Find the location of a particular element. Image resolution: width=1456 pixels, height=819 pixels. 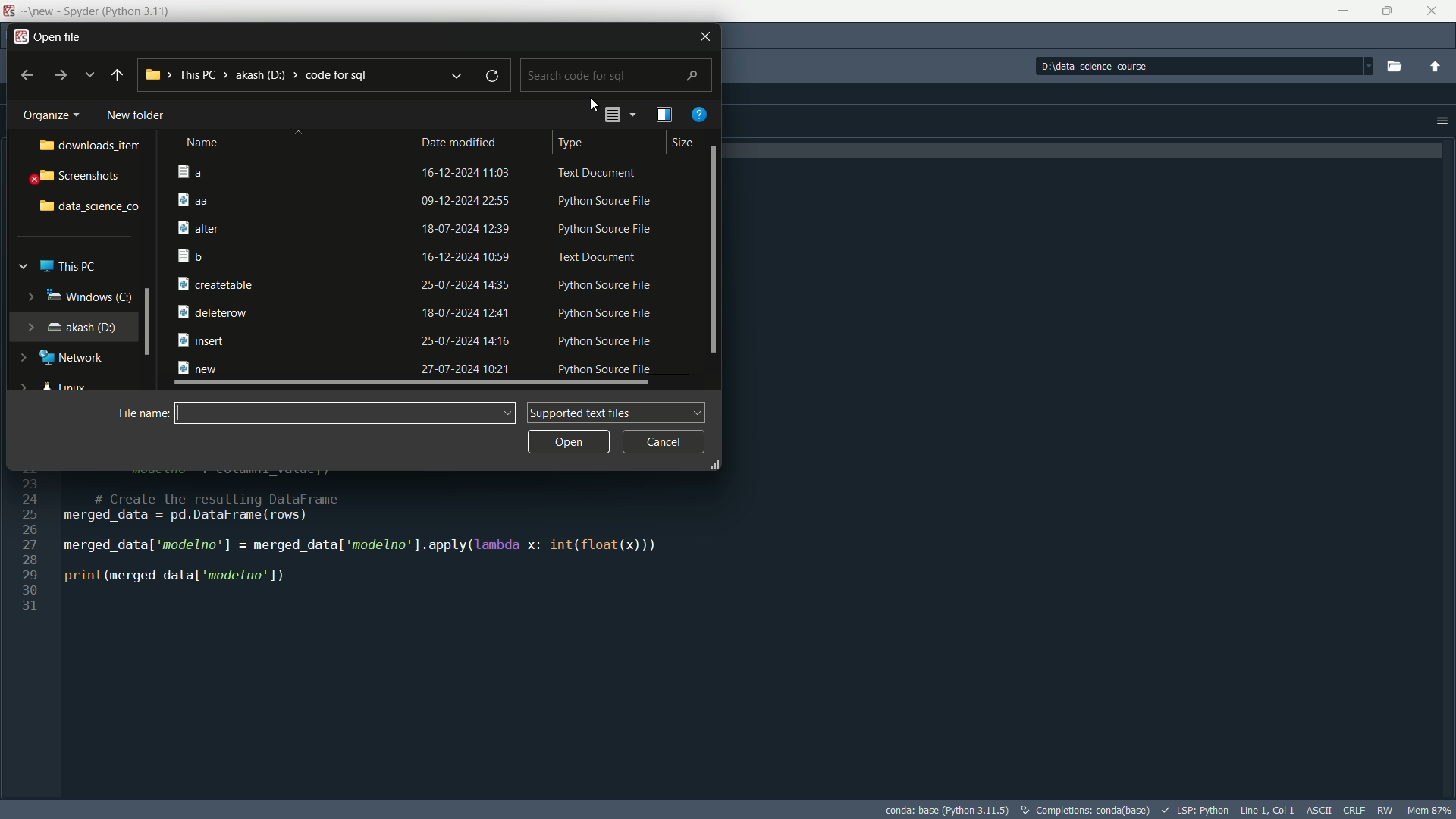

app icon is located at coordinates (19, 37).